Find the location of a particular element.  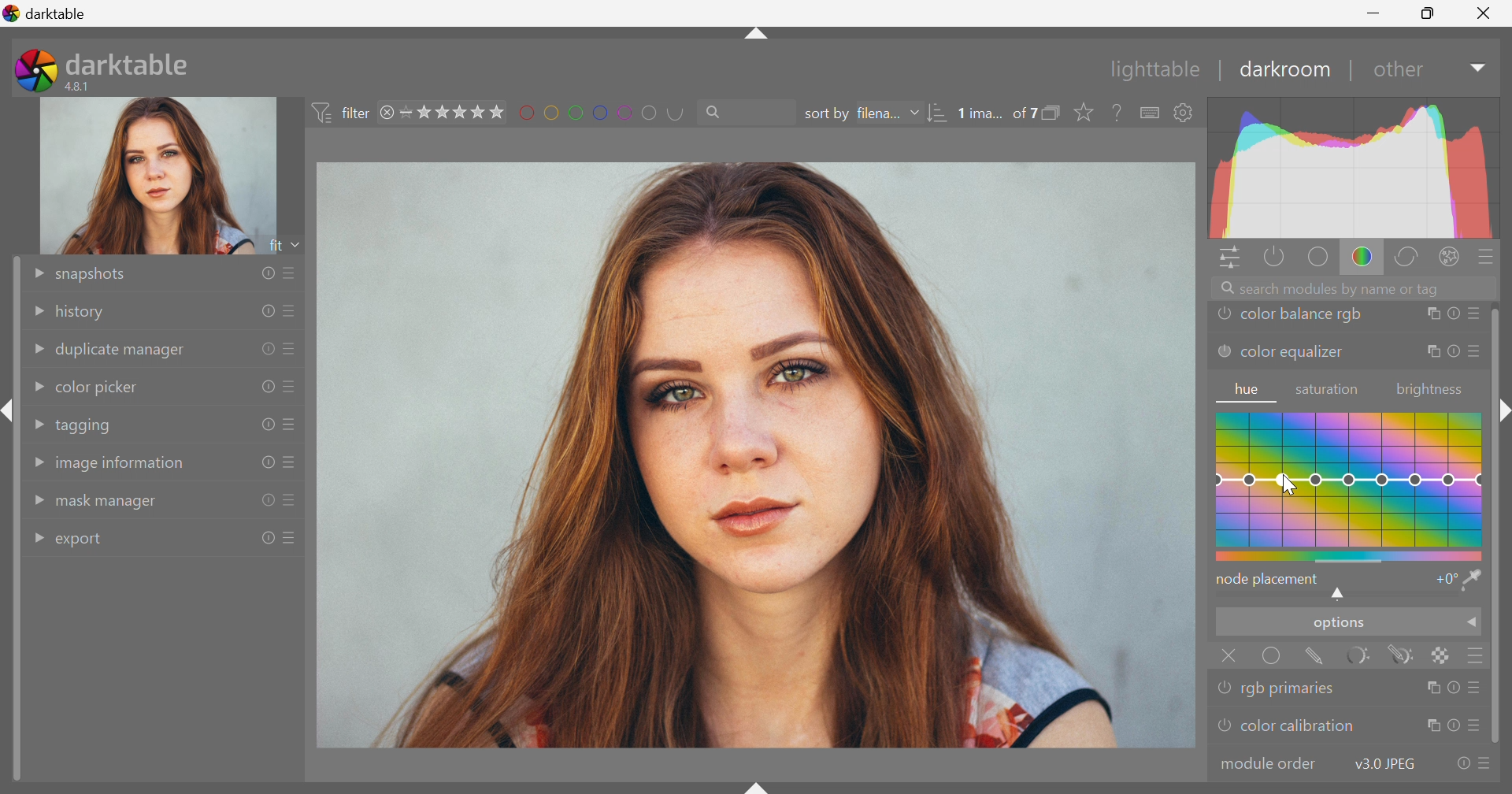

filter by images color label is located at coordinates (606, 112).